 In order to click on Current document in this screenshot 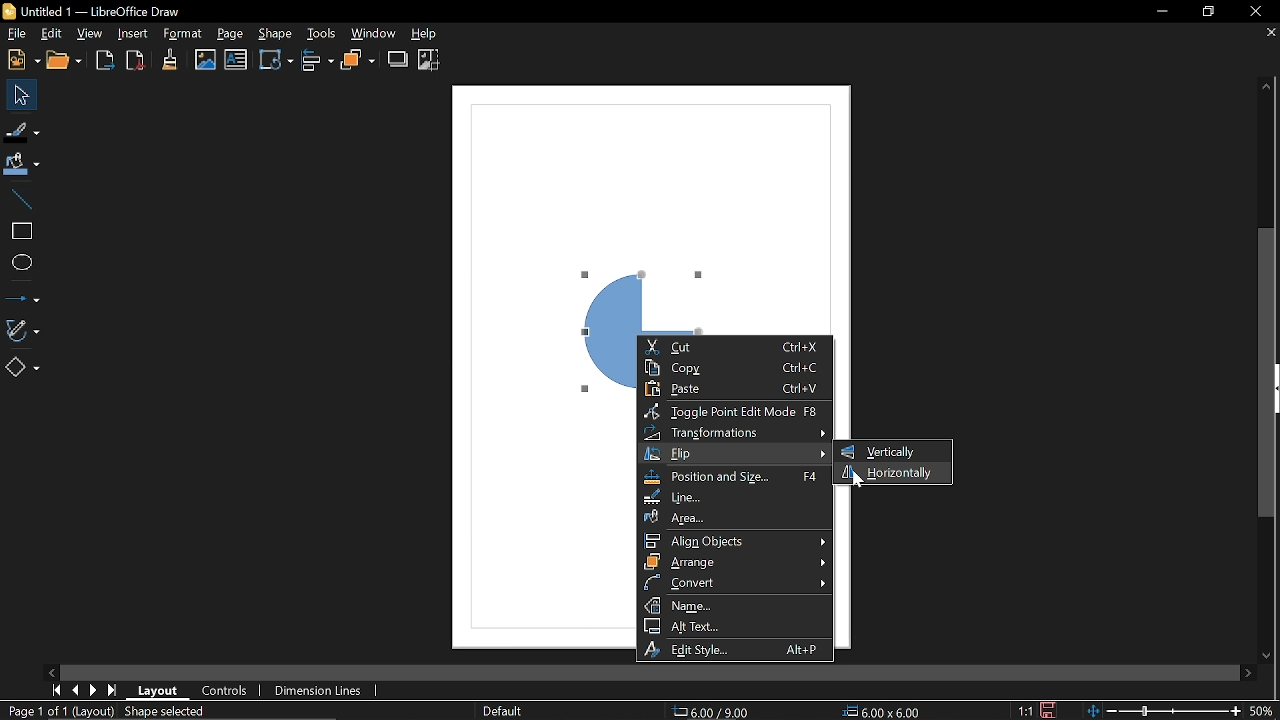, I will do `click(95, 11)`.